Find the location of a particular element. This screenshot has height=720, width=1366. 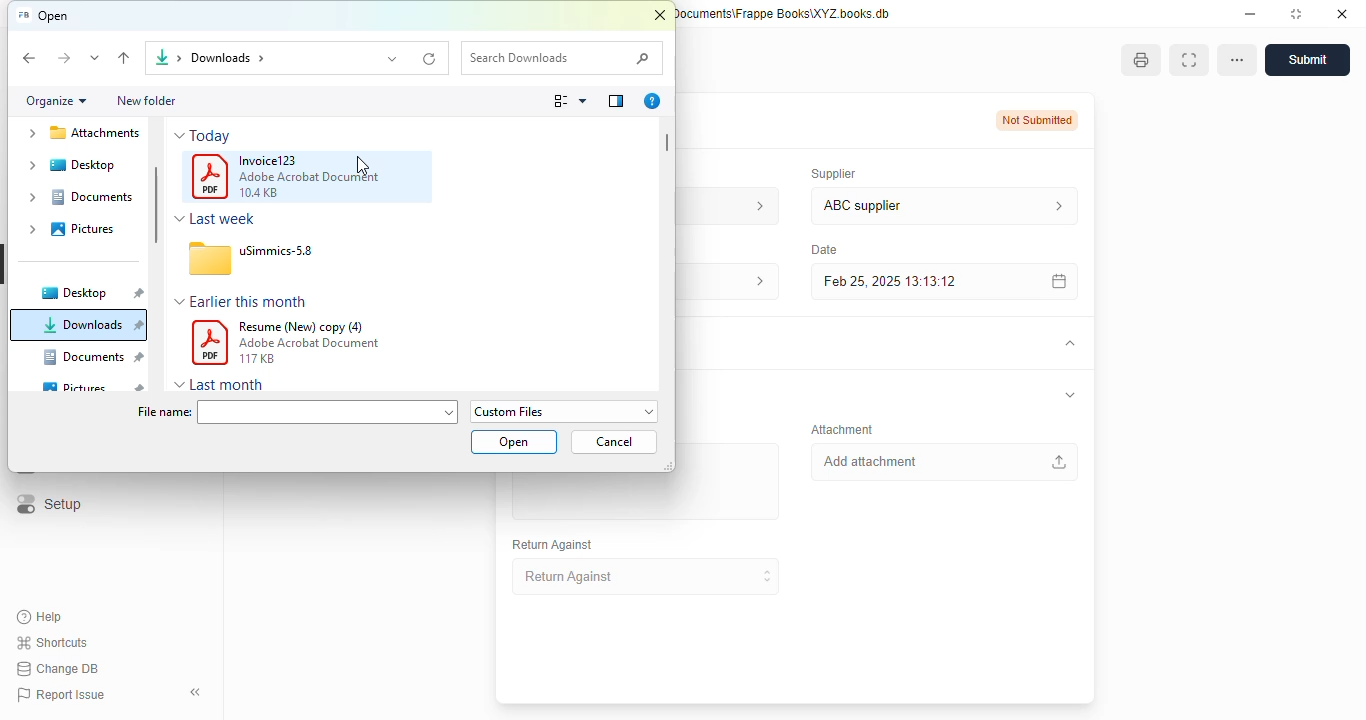

download icon is located at coordinates (159, 58).